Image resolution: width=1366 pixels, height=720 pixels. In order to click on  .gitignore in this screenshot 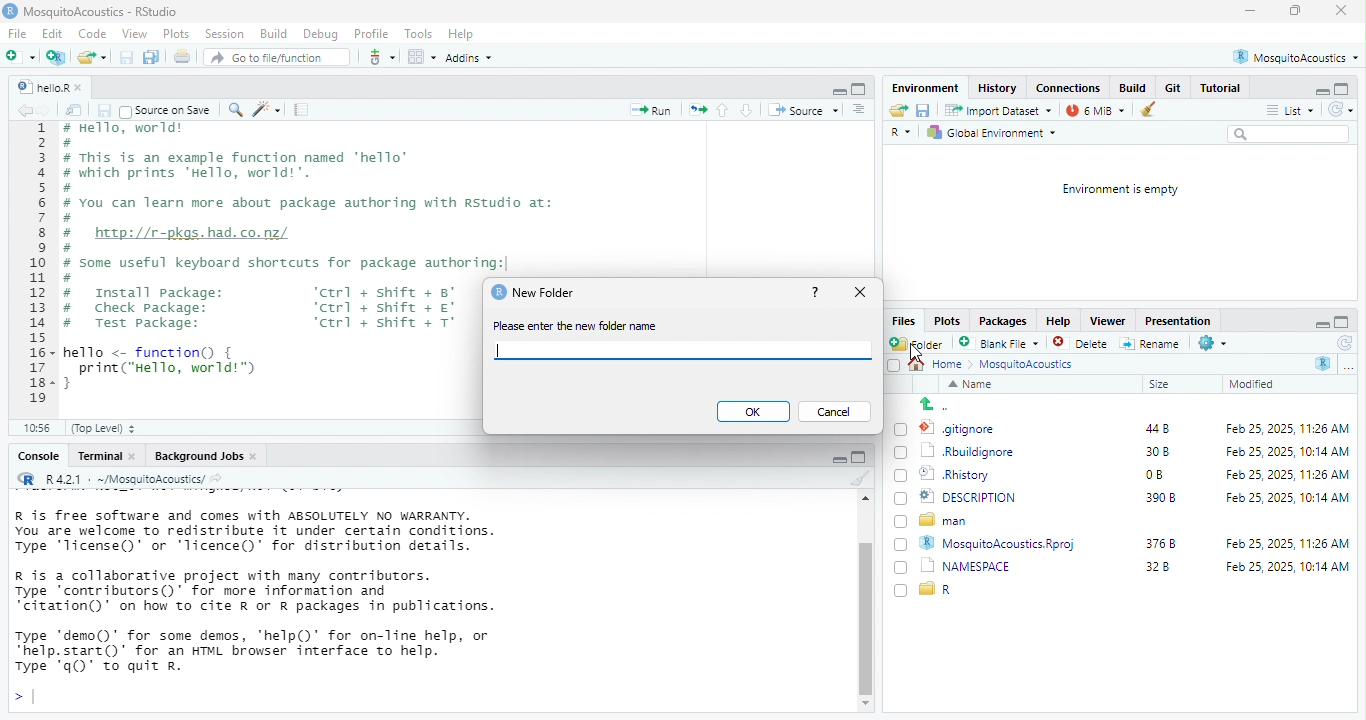, I will do `click(964, 430)`.